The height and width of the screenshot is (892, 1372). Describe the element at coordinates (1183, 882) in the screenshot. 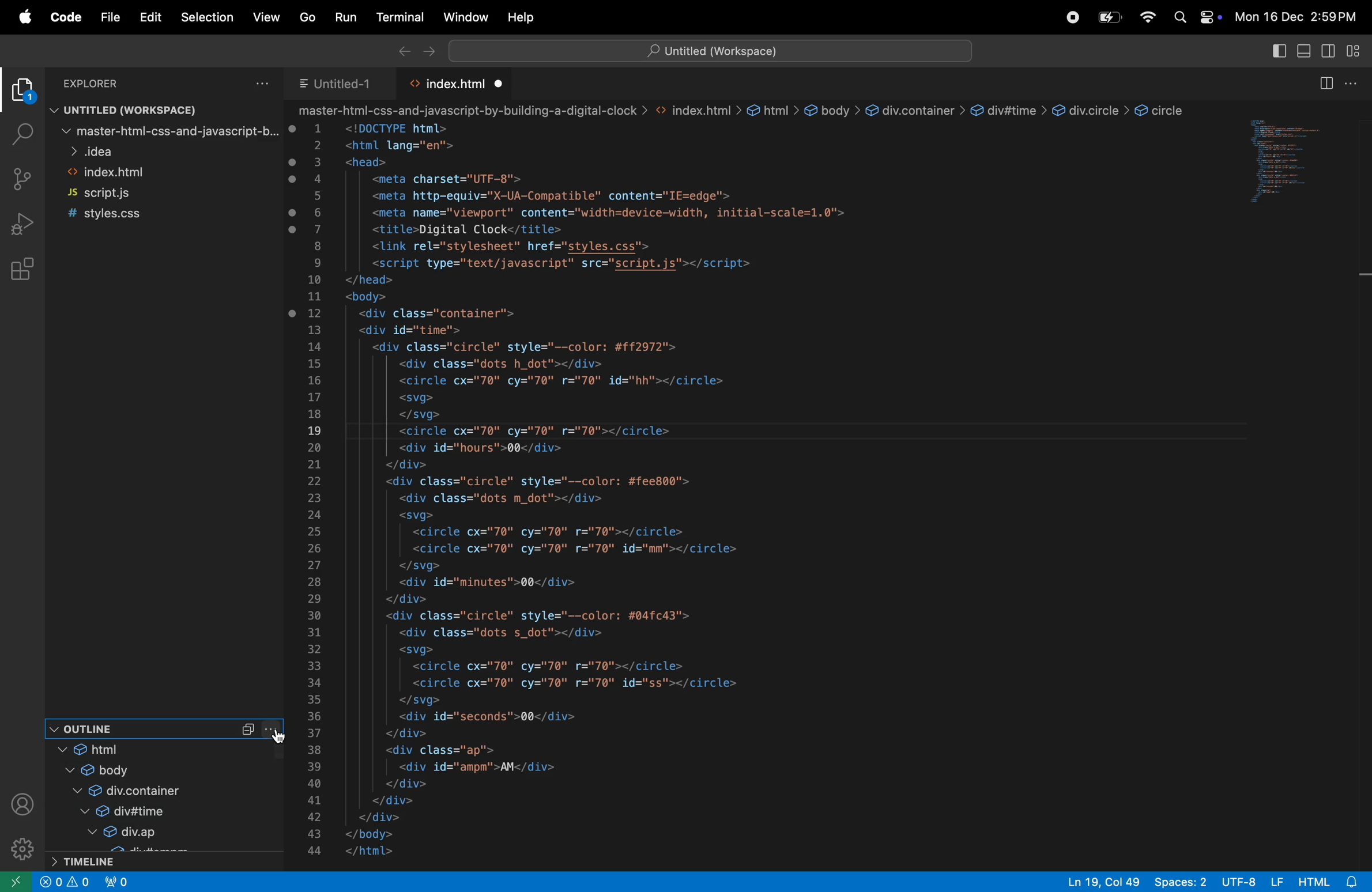

I see `spaces 2` at that location.